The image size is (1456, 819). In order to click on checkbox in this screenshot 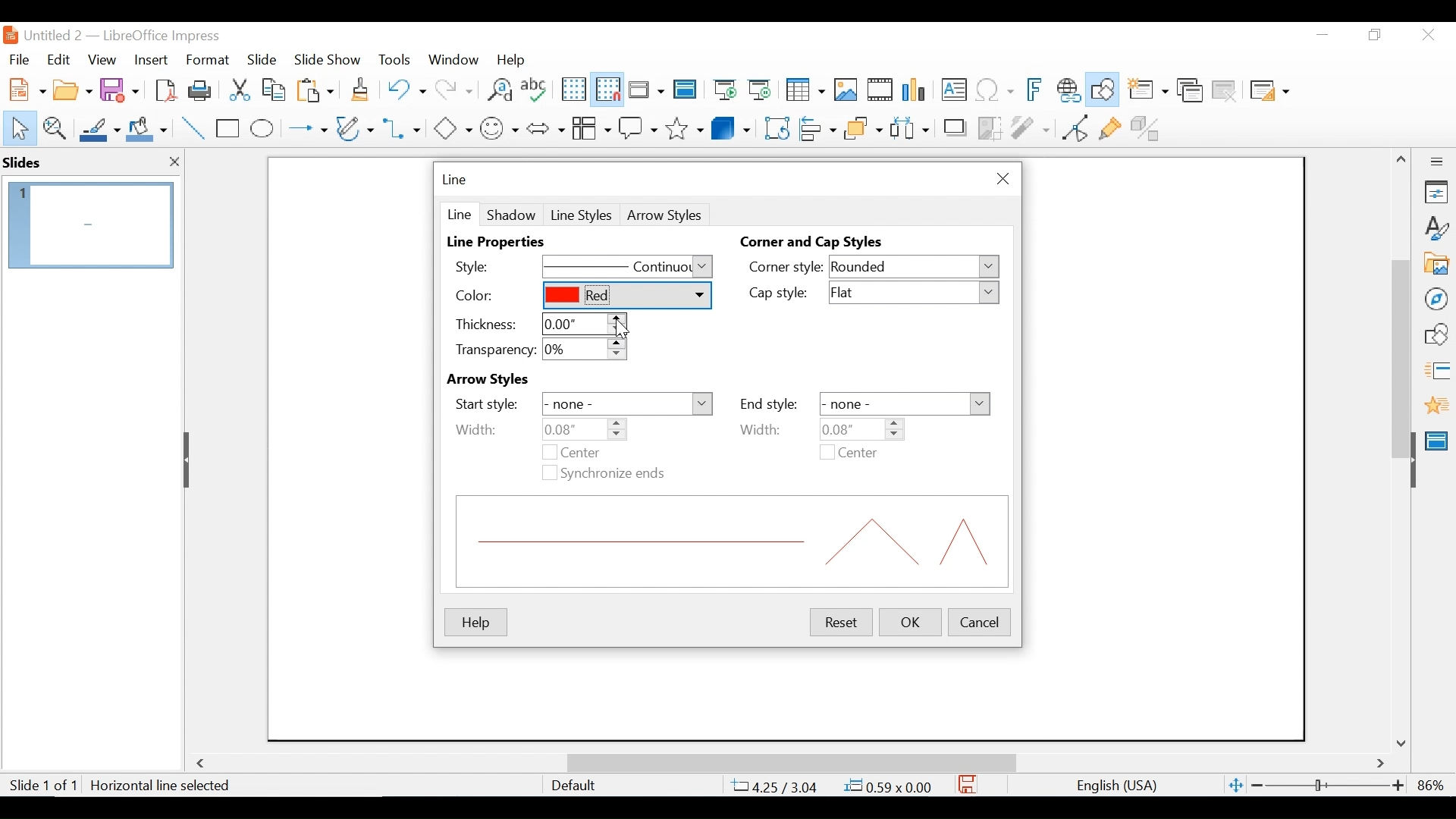, I will do `click(827, 452)`.